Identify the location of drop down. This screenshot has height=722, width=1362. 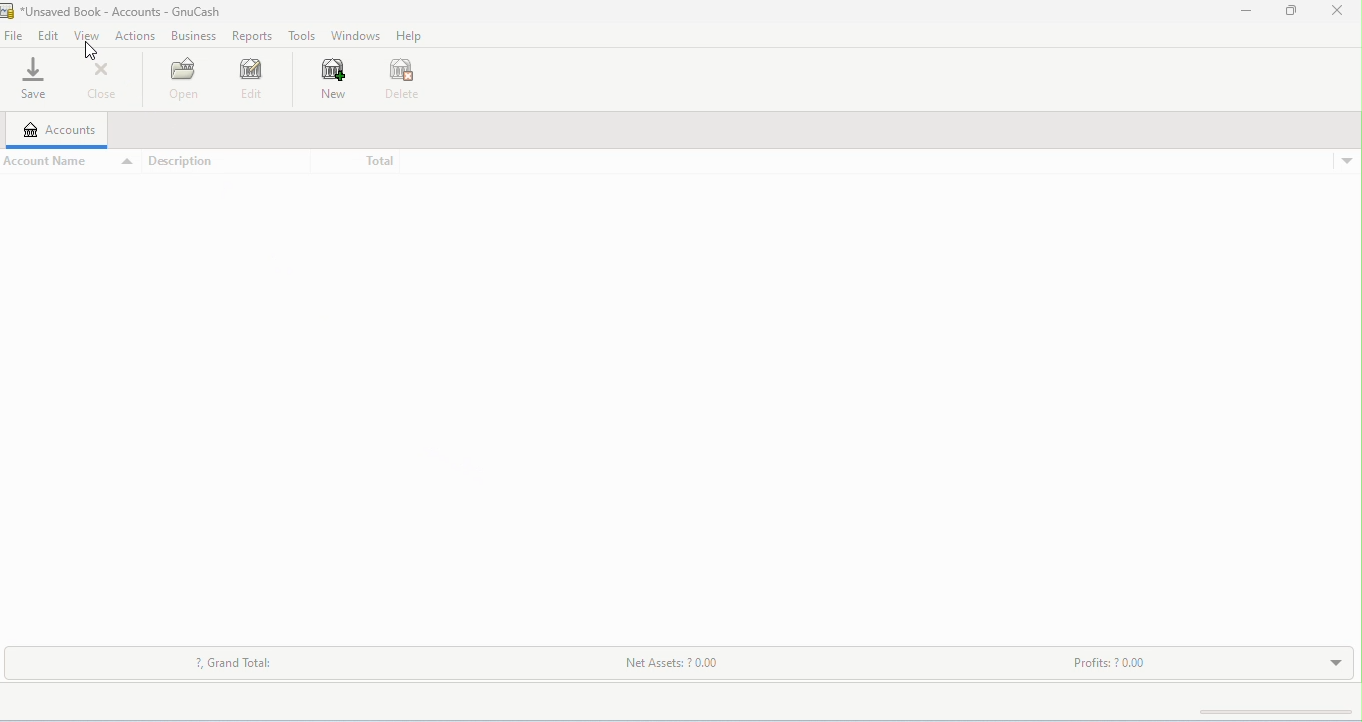
(126, 161).